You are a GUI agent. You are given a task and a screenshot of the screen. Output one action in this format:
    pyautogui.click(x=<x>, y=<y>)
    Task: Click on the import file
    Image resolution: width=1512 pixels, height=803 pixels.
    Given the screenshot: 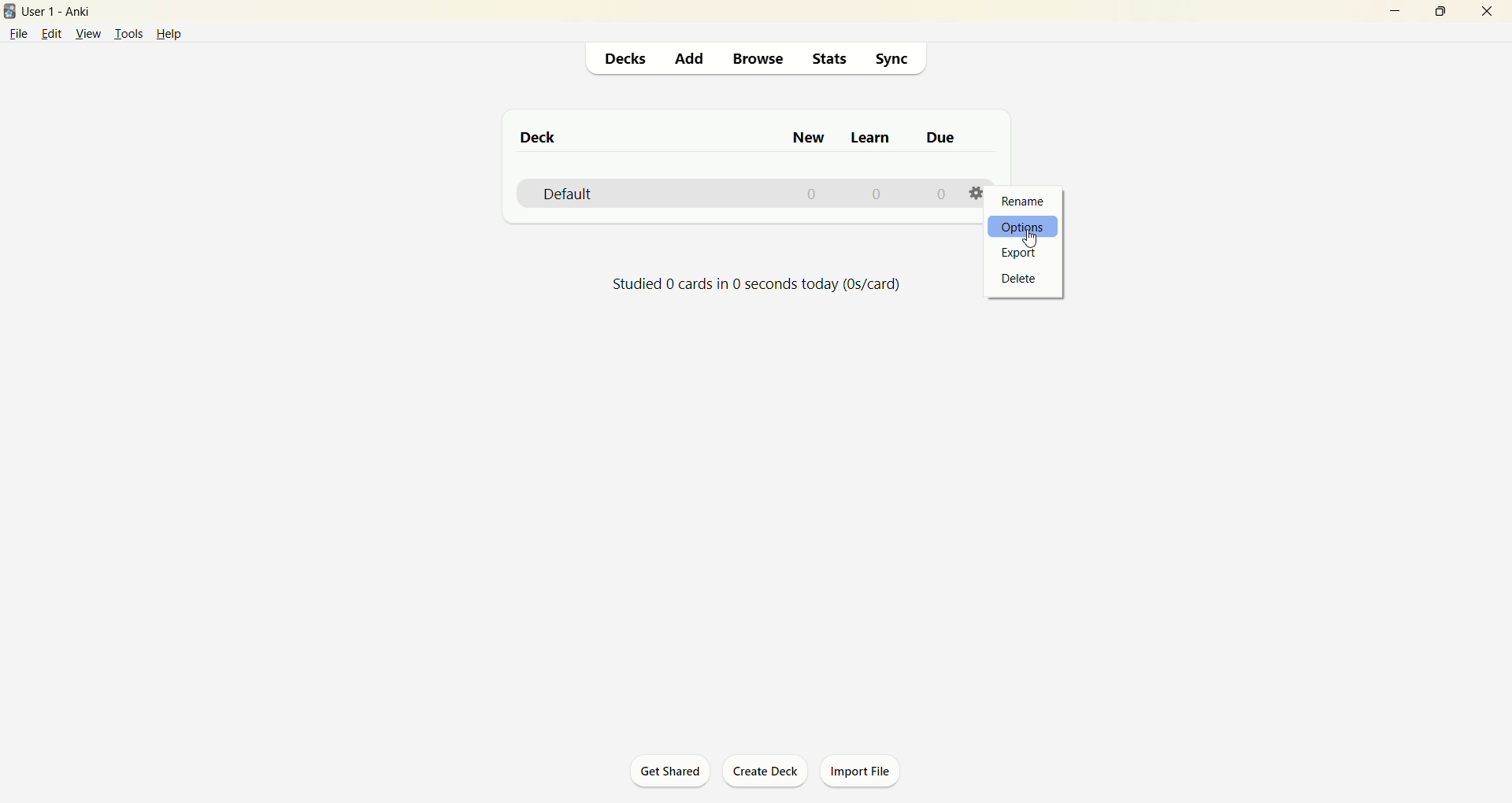 What is the action you would take?
    pyautogui.click(x=862, y=772)
    